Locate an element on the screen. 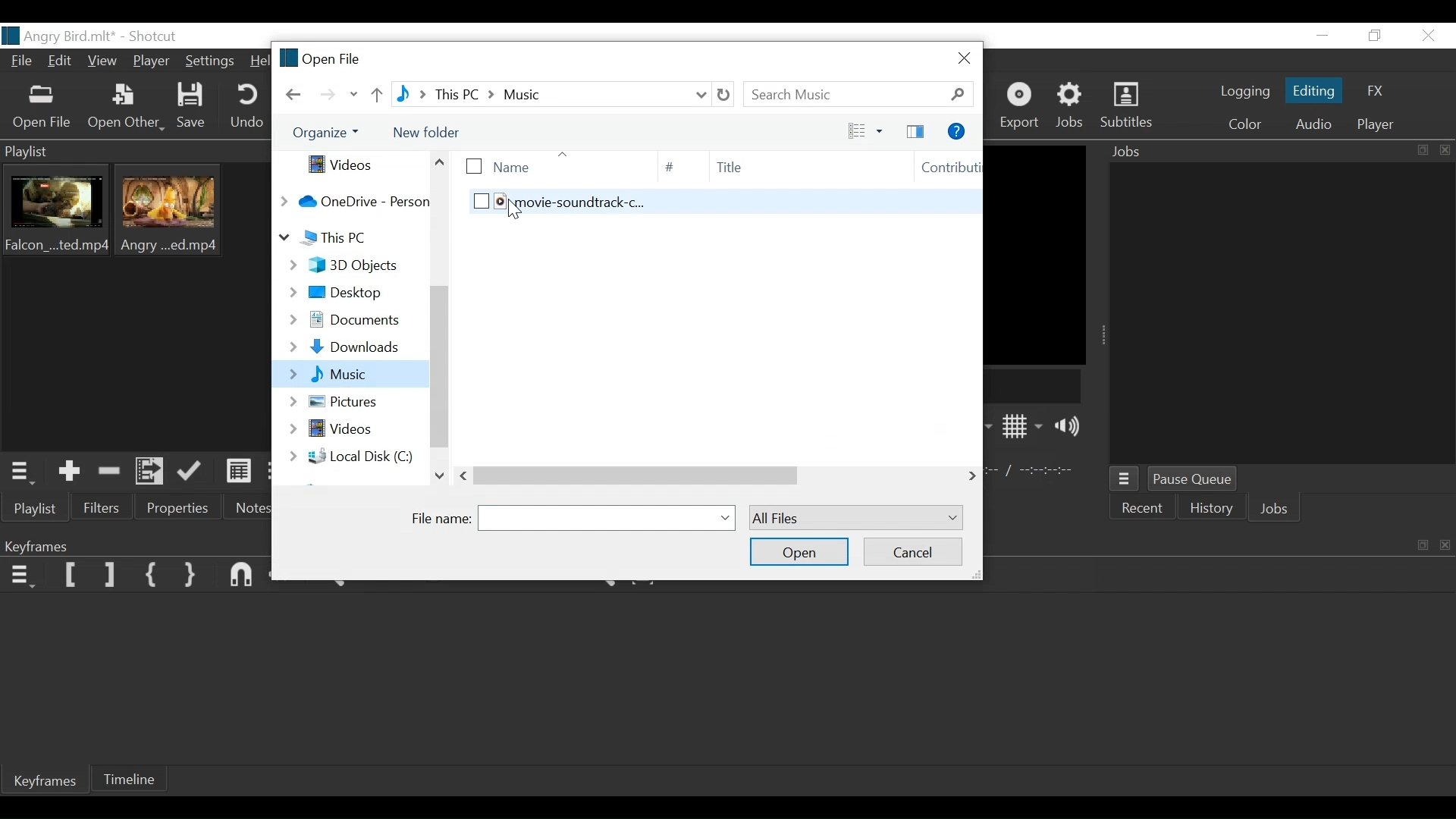 This screenshot has height=819, width=1456. FX is located at coordinates (1380, 89).